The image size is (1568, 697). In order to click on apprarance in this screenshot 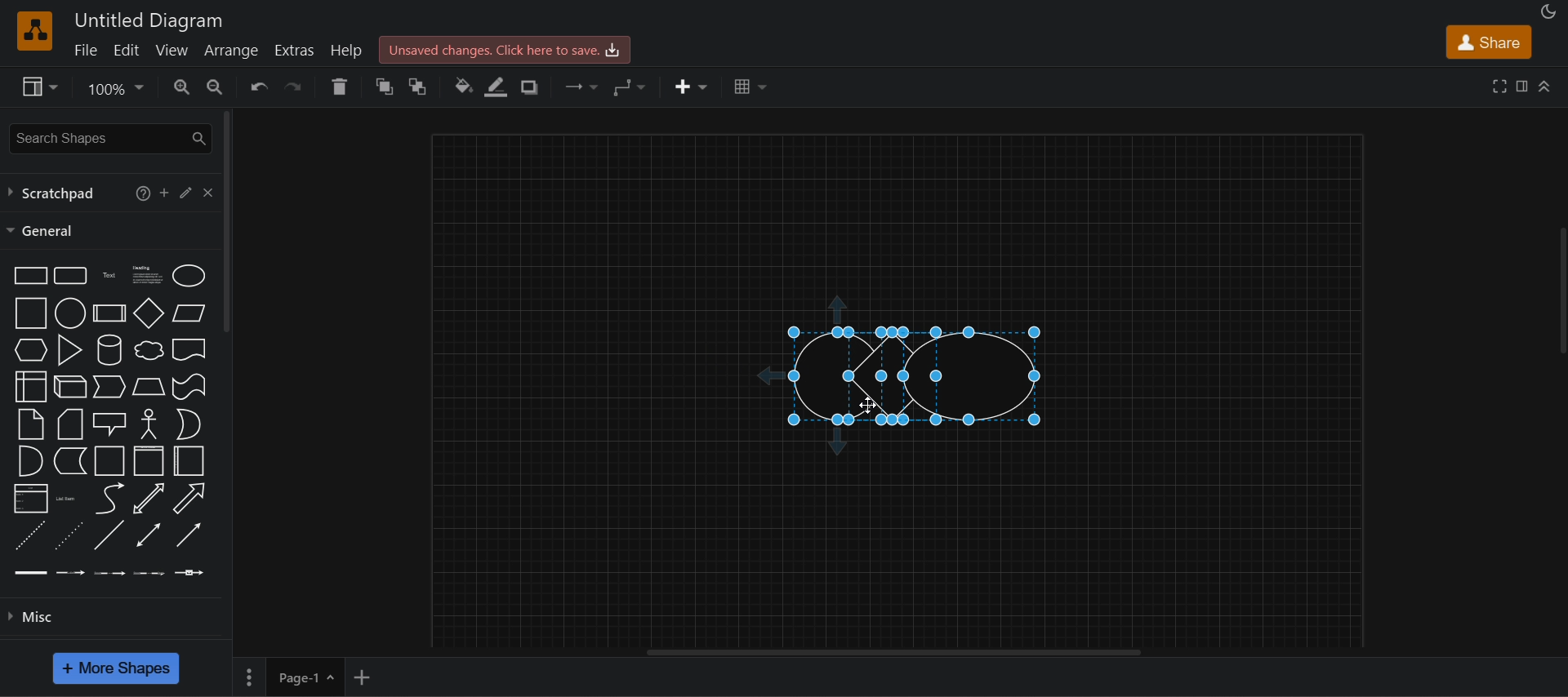, I will do `click(1548, 12)`.